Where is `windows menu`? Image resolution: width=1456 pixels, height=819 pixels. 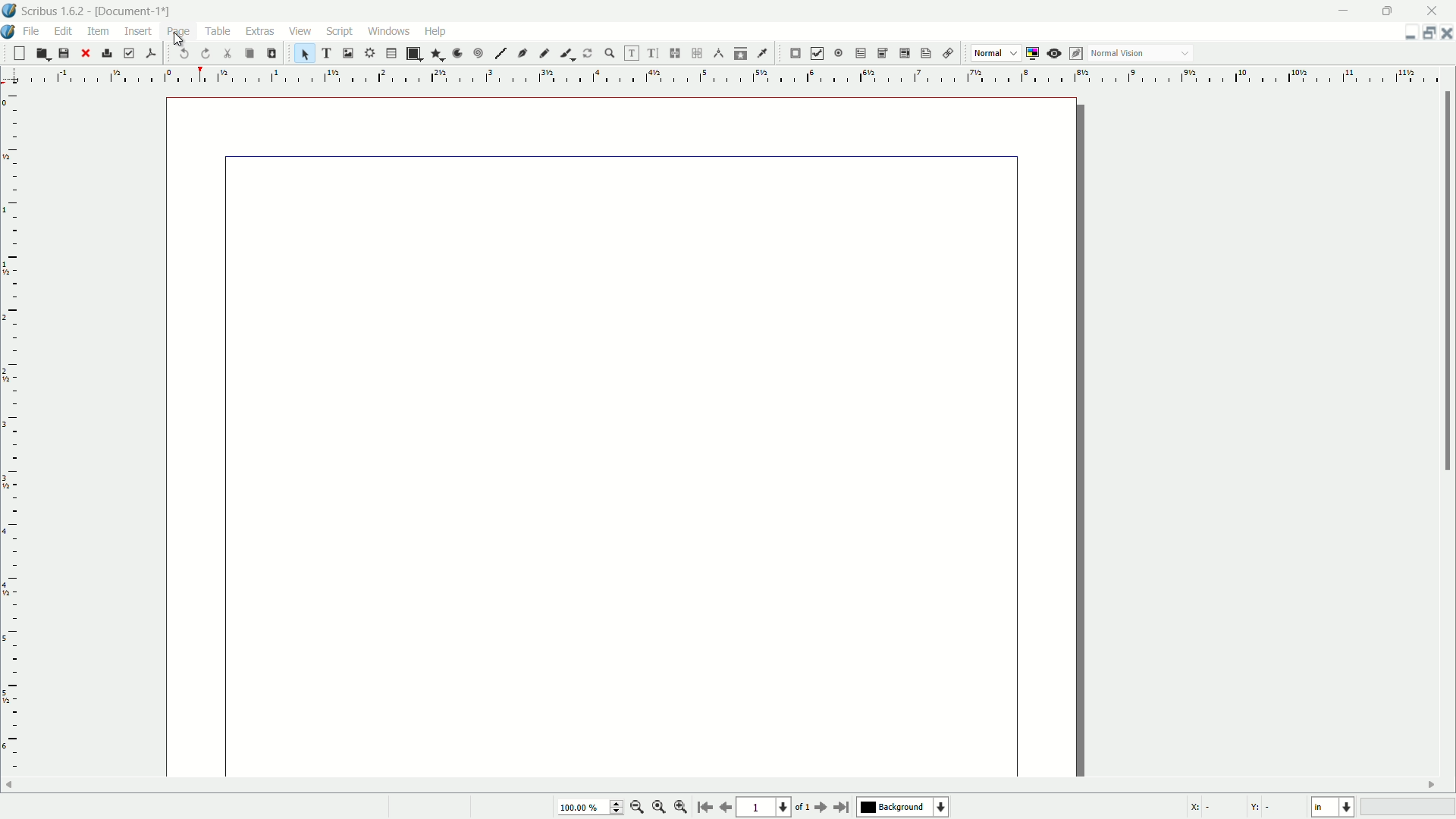 windows menu is located at coordinates (391, 30).